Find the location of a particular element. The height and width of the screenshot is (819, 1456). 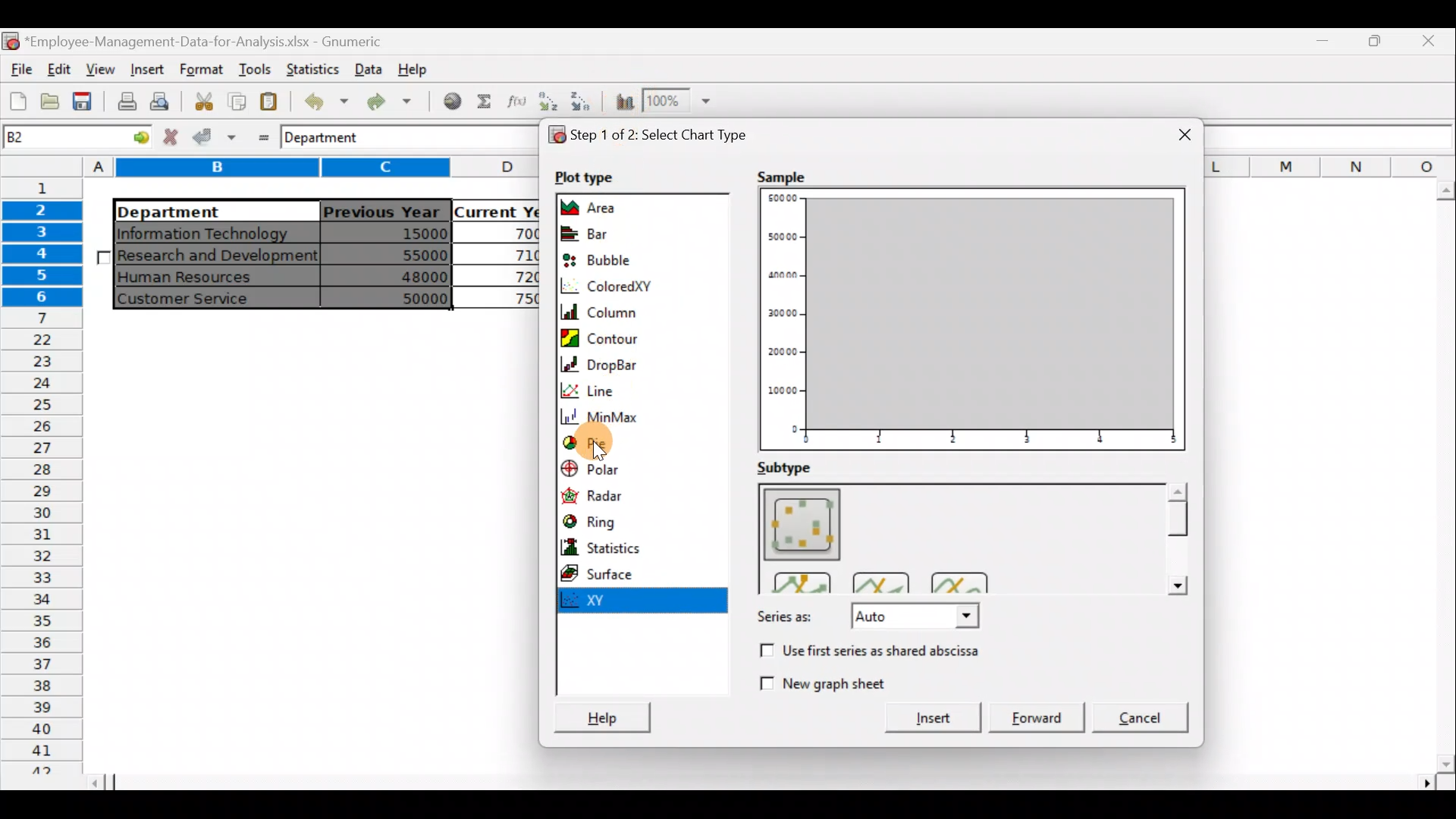

Enter formula is located at coordinates (259, 136).